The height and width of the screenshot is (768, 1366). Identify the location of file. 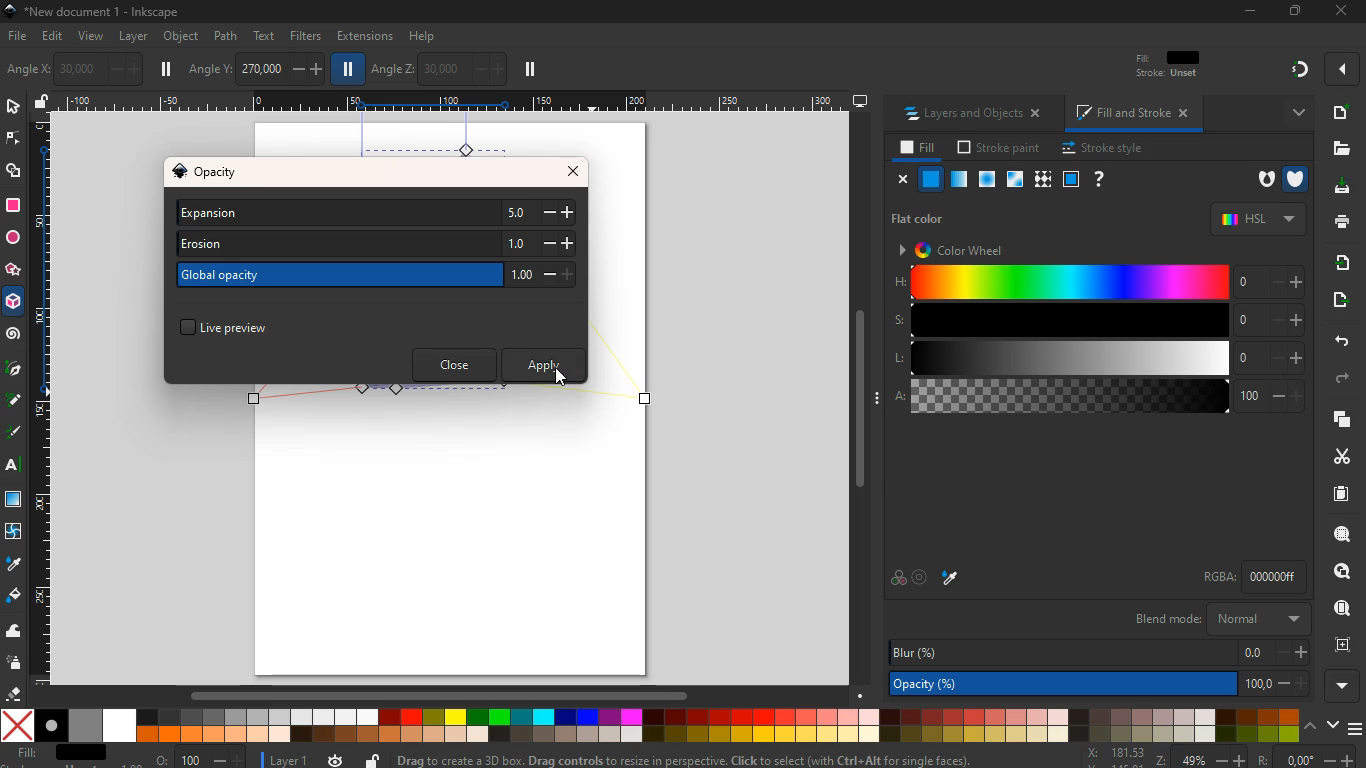
(1342, 148).